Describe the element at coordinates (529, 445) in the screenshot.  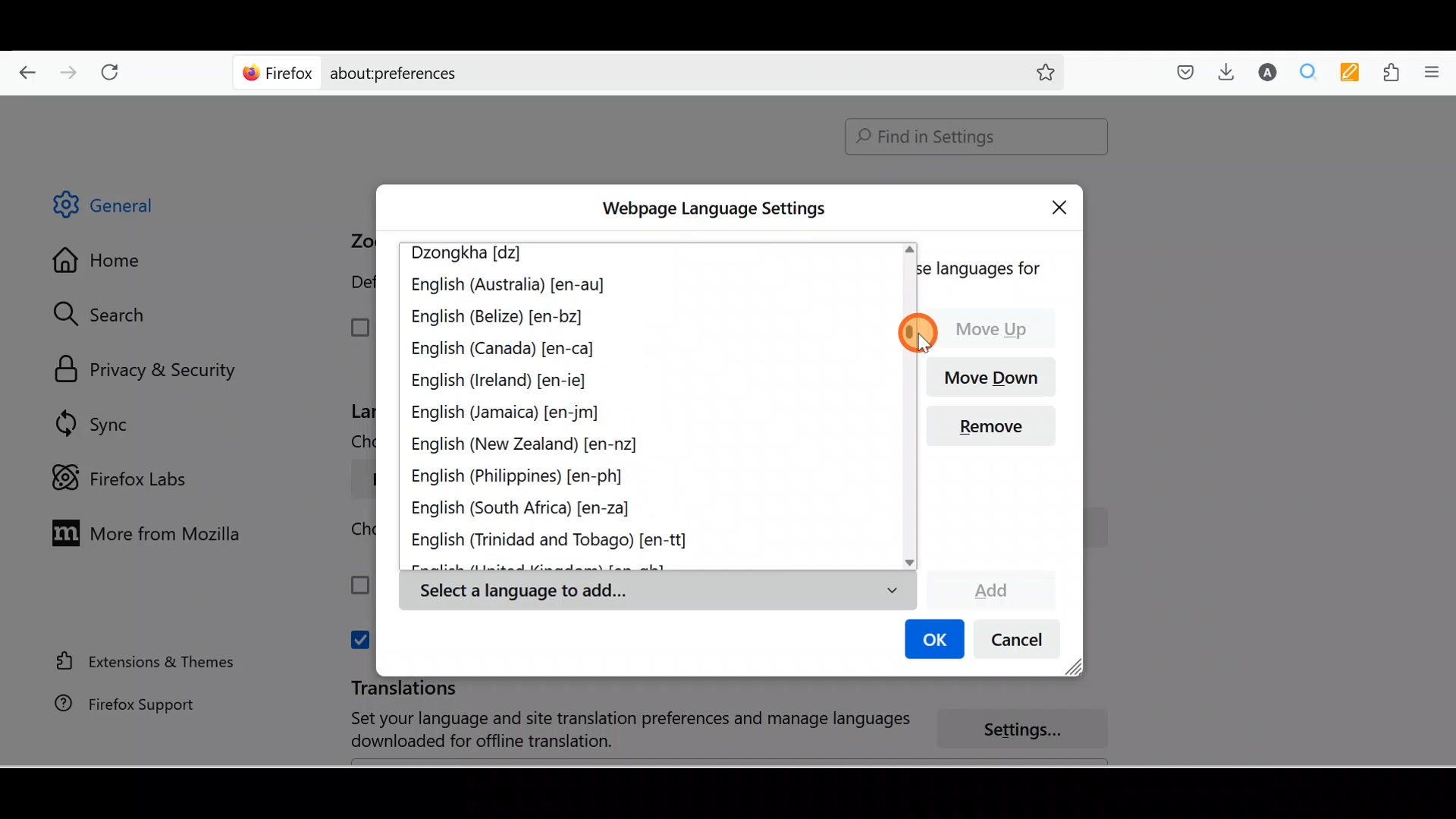
I see `English (New Zealand) [en-nz]` at that location.